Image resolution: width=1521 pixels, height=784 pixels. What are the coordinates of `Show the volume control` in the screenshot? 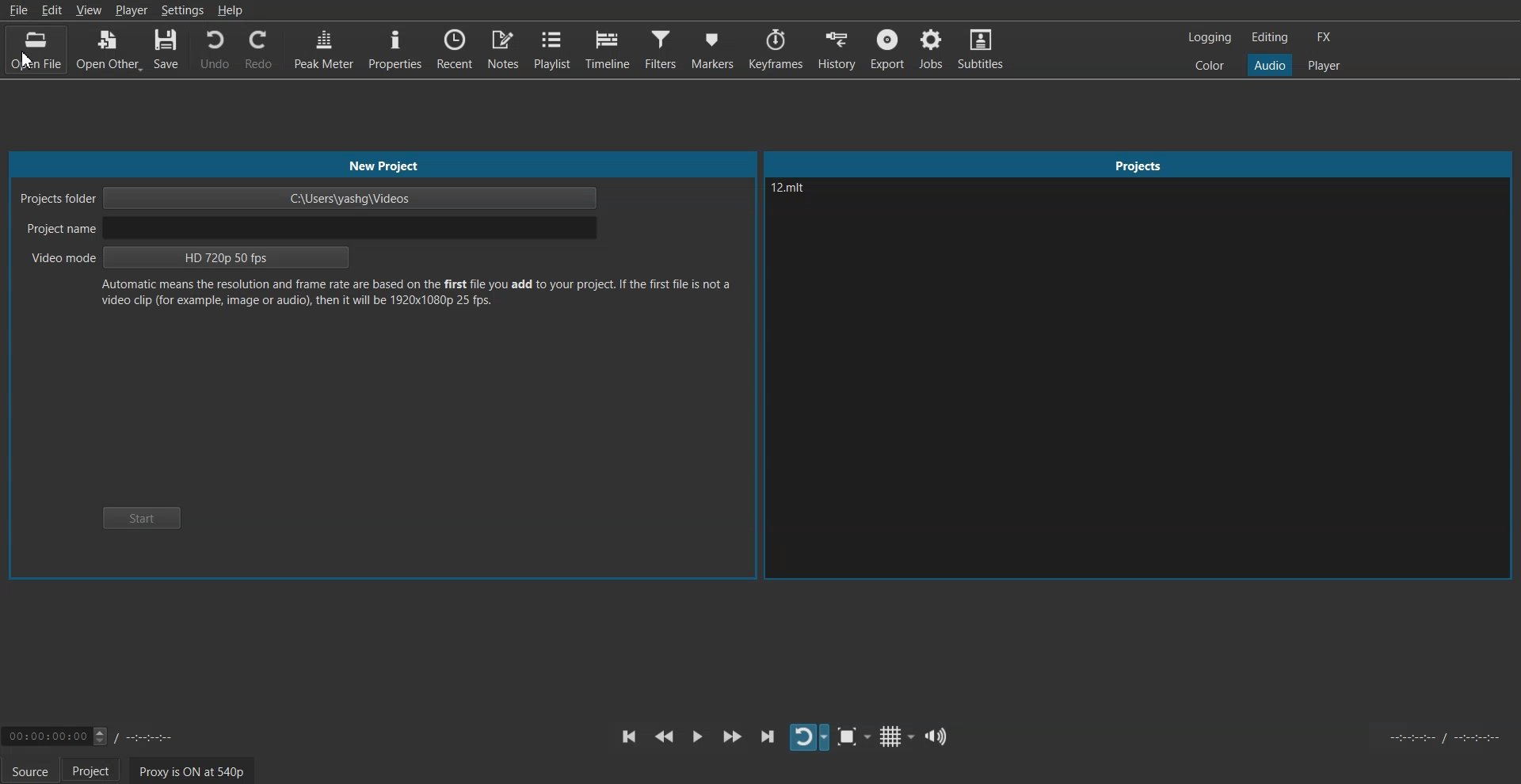 It's located at (935, 736).